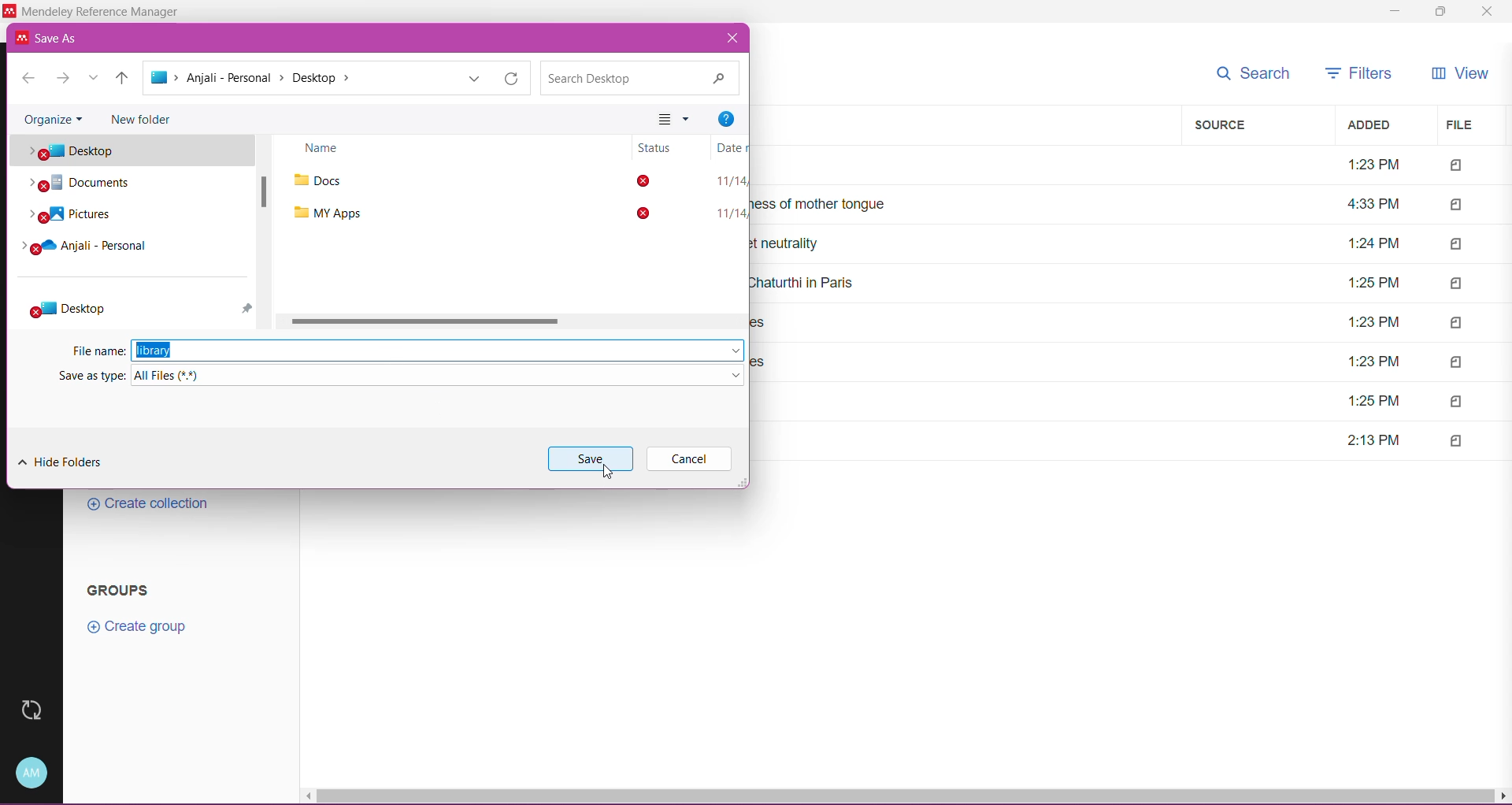 The image size is (1512, 805). I want to click on Docs, so click(332, 181).